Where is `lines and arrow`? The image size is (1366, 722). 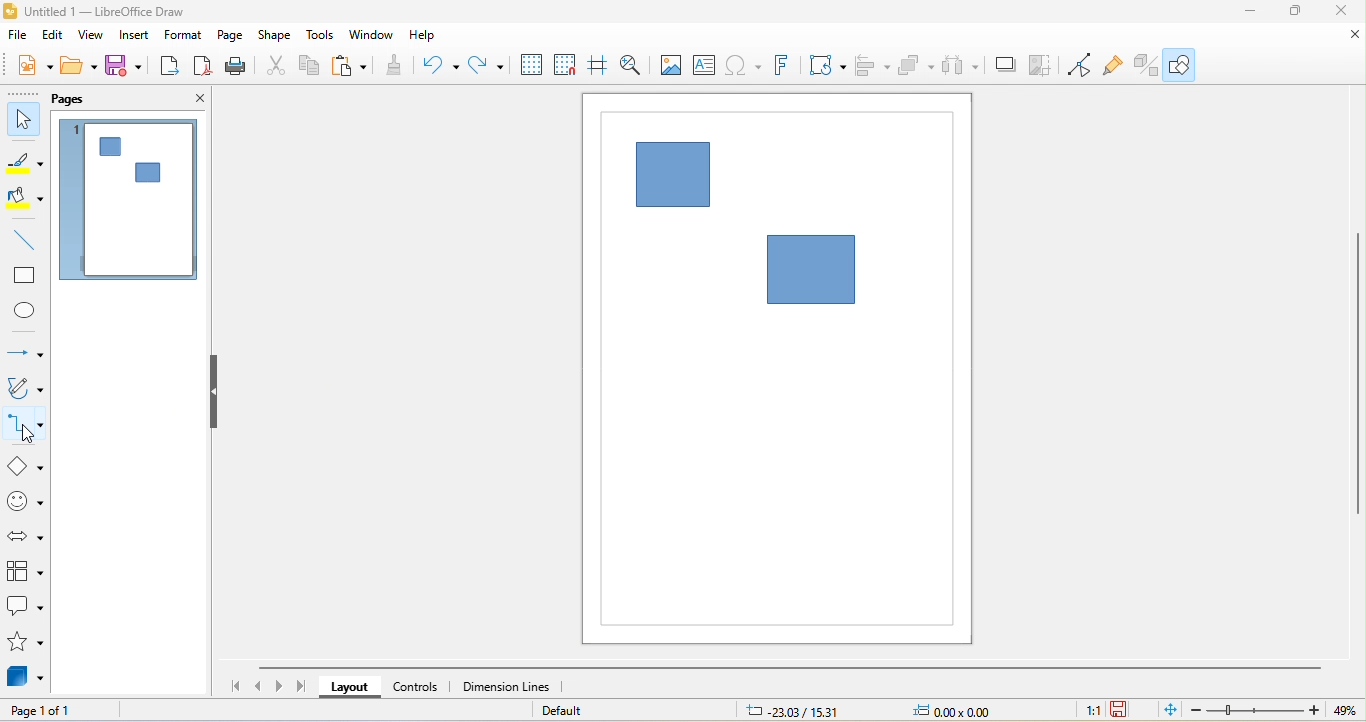 lines and arrow is located at coordinates (24, 352).